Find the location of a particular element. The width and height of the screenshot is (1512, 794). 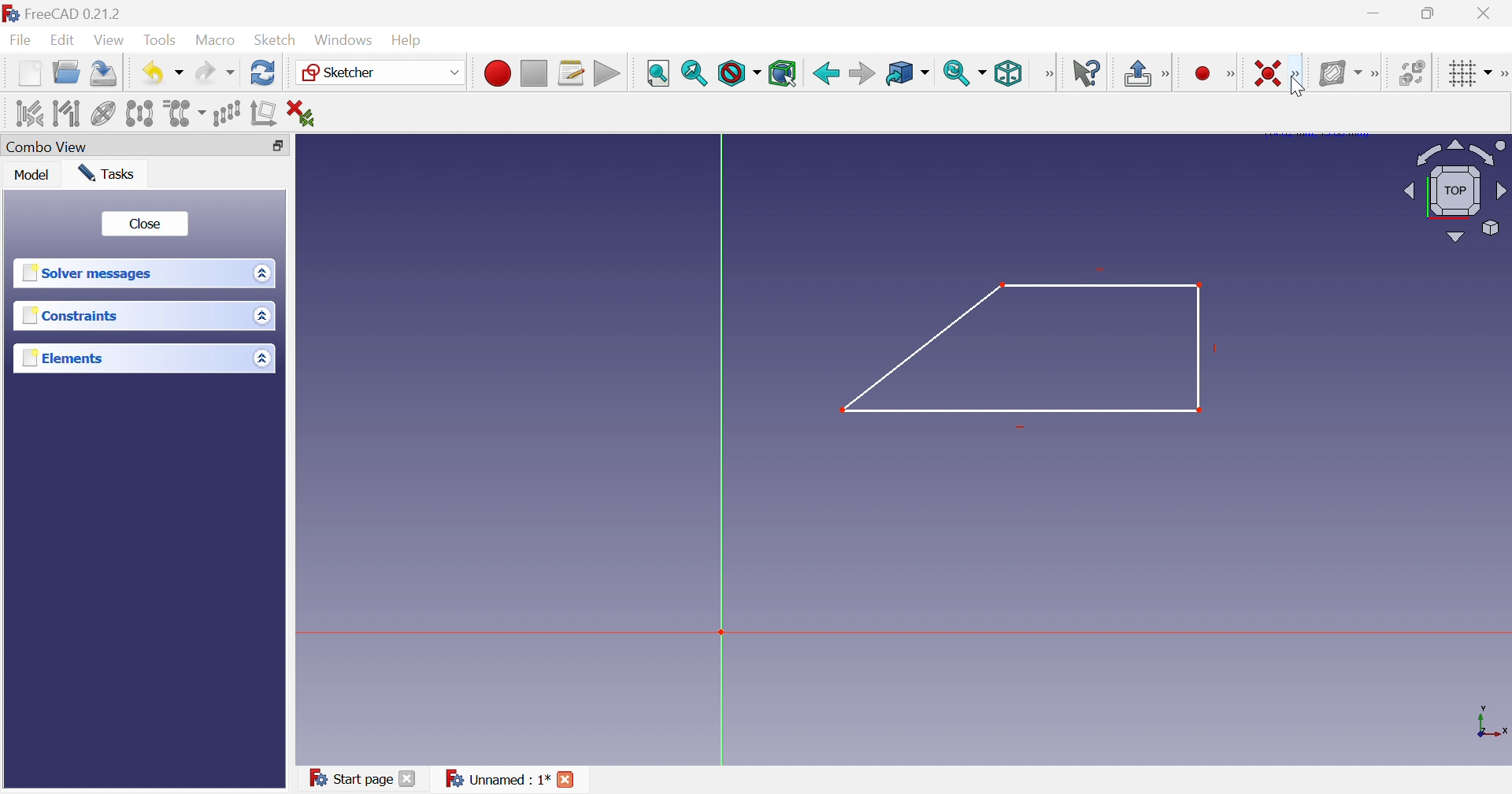

FreeCAD 0.21.2 is located at coordinates (67, 12).